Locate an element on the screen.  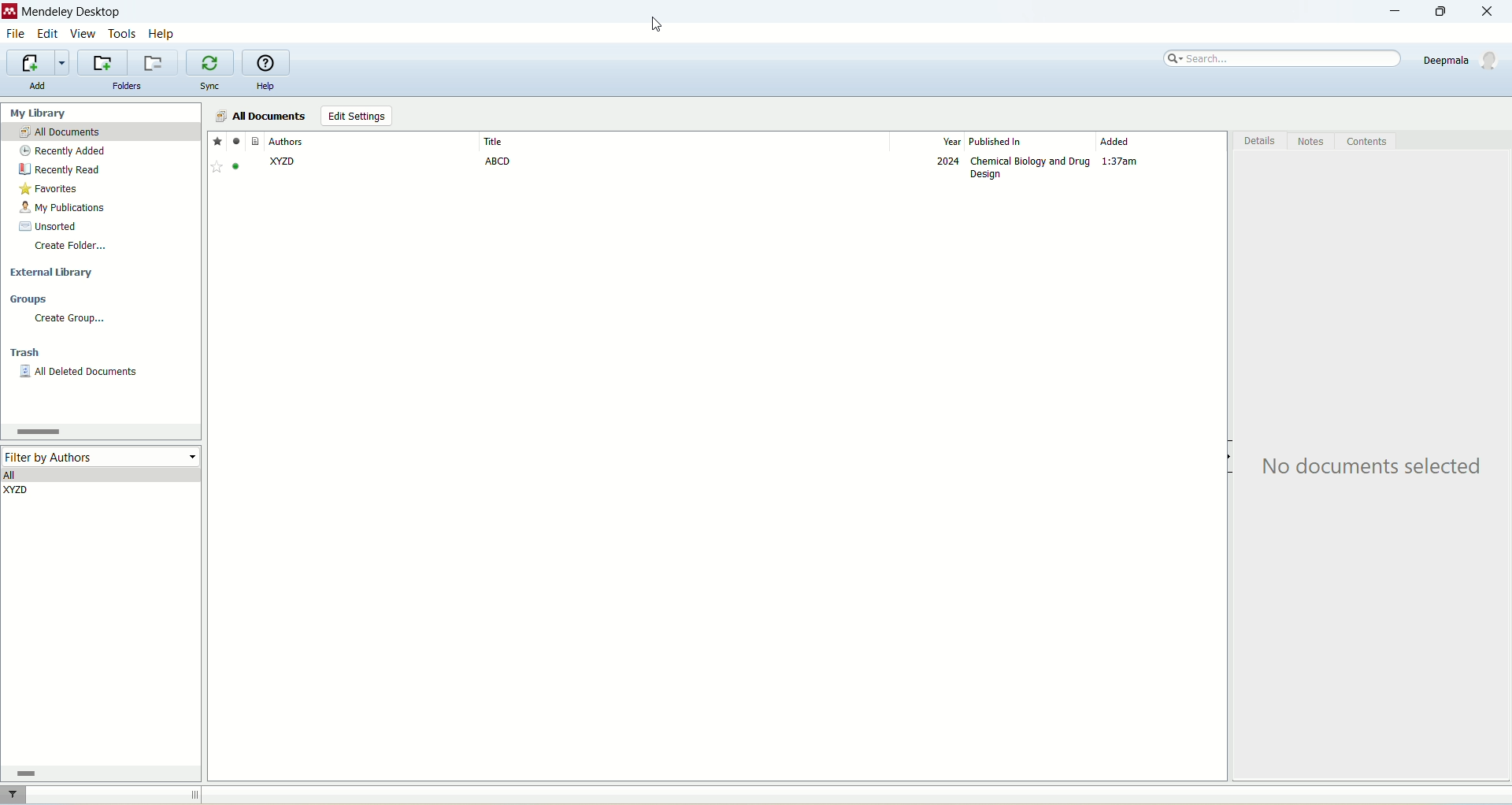
import is located at coordinates (35, 63).